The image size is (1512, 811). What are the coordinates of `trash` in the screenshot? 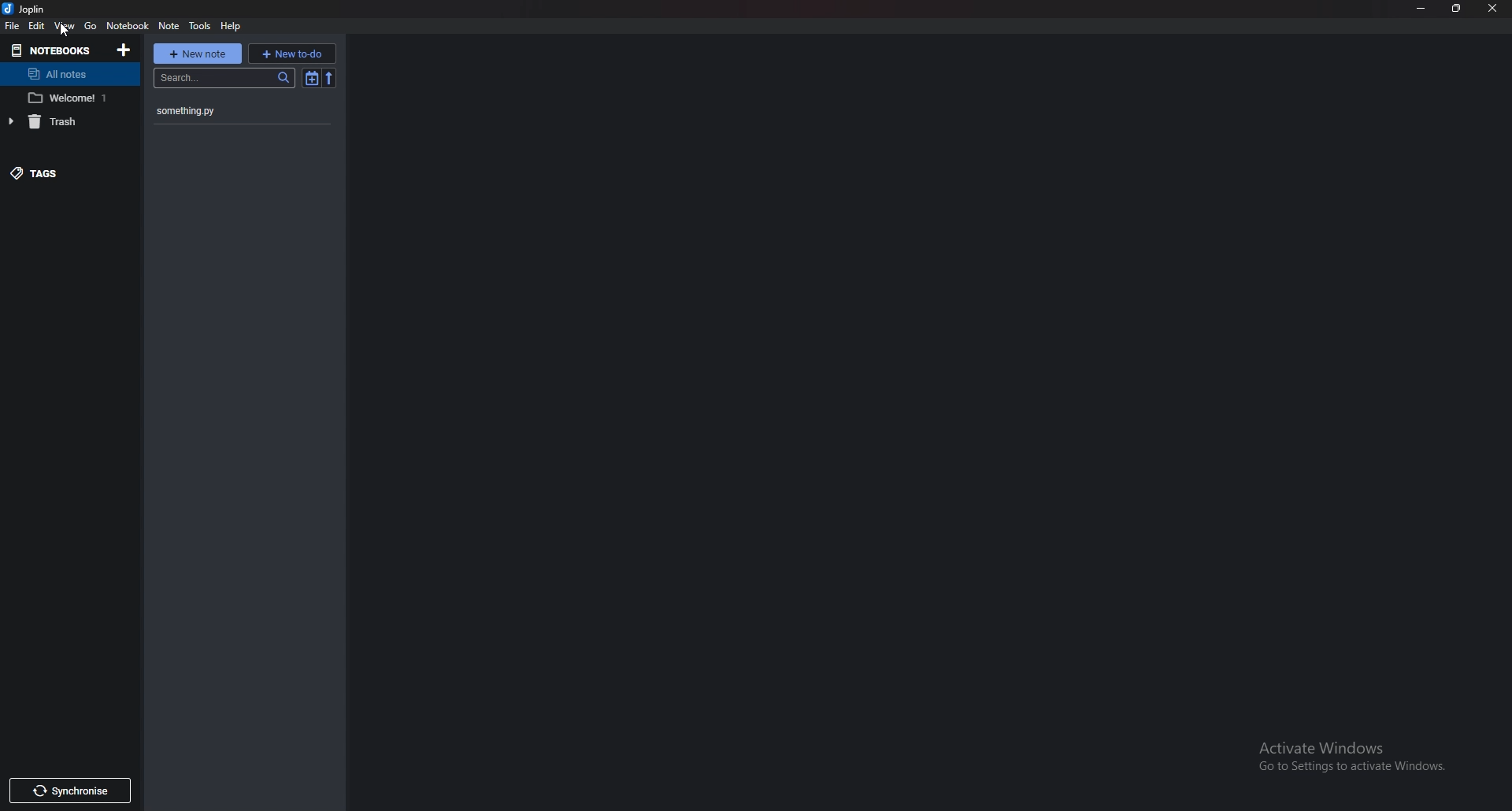 It's located at (59, 122).